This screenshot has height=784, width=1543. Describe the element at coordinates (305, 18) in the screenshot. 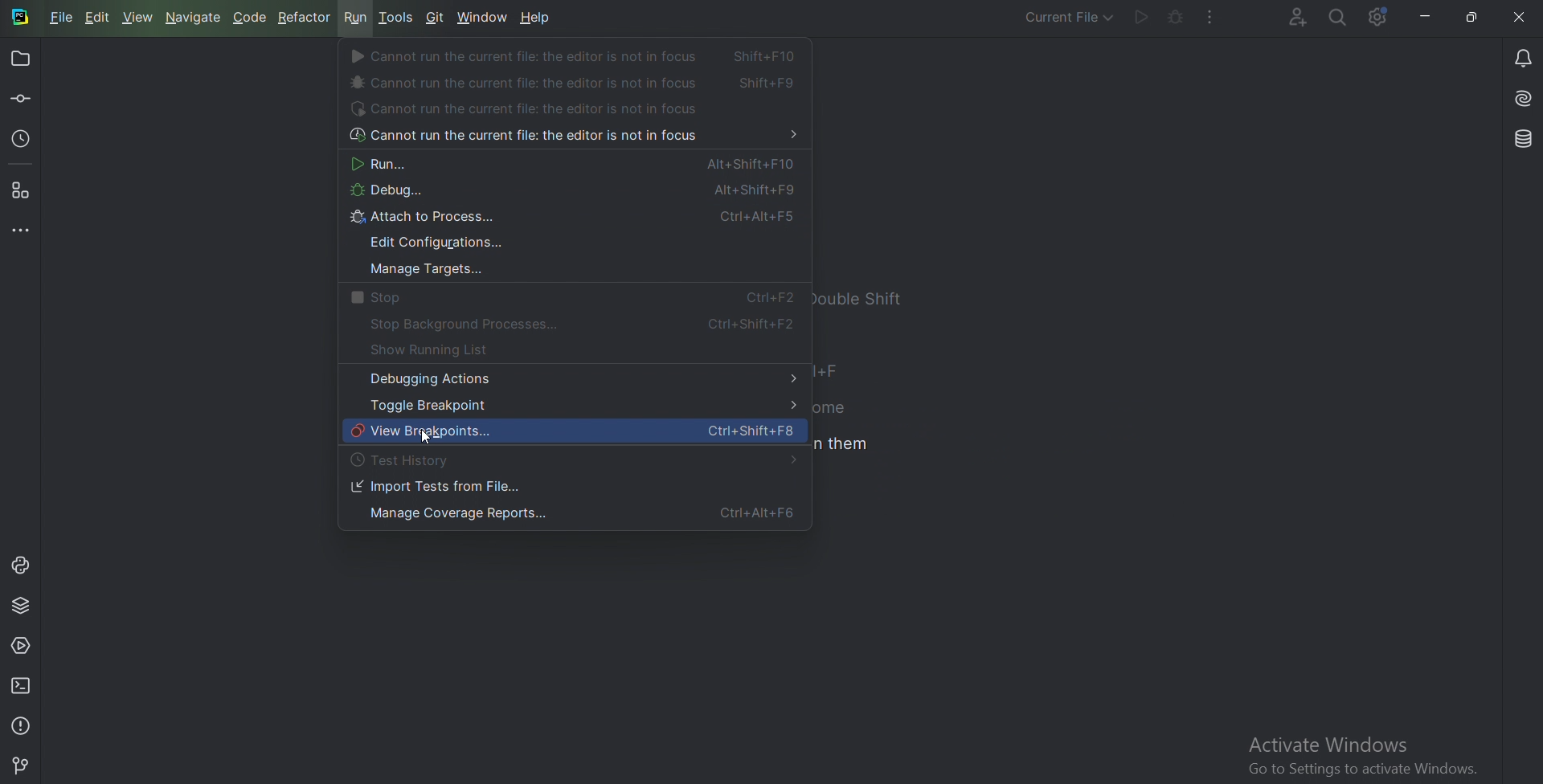

I see `Refactor` at that location.